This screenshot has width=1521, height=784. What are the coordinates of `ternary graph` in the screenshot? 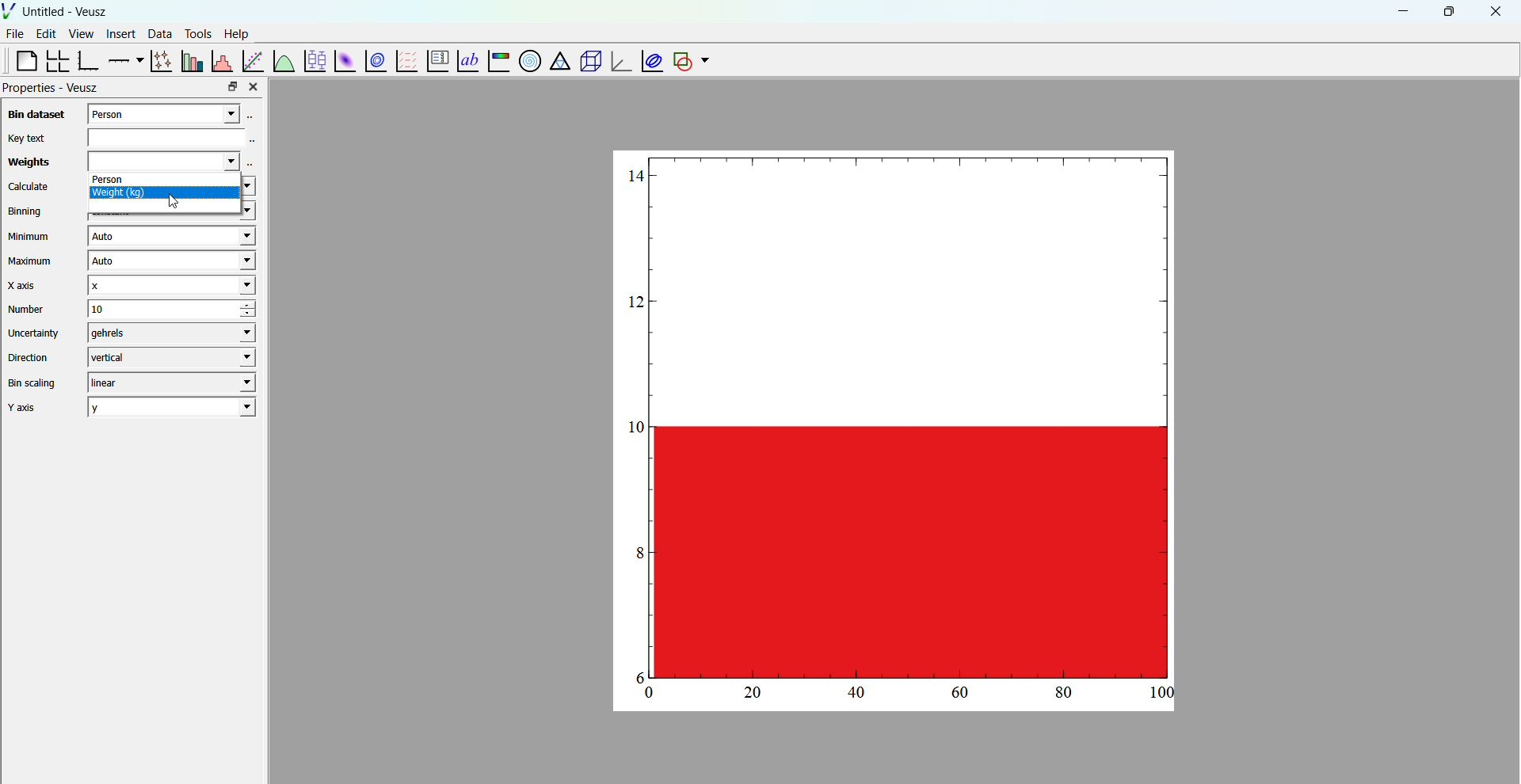 It's located at (558, 63).